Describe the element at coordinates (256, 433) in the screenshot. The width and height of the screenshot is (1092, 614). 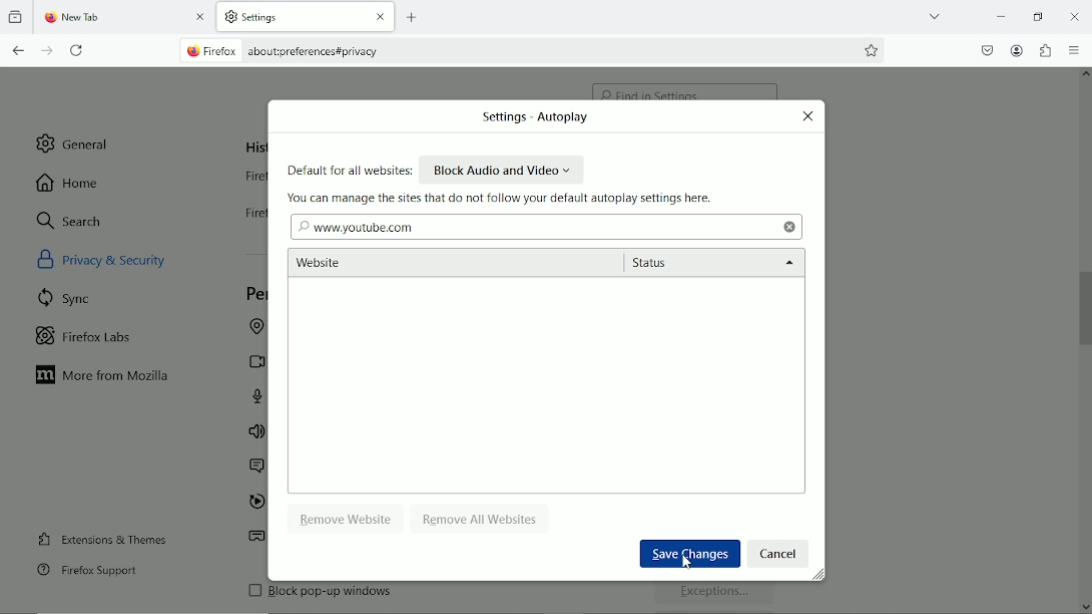
I see `speaker selection` at that location.